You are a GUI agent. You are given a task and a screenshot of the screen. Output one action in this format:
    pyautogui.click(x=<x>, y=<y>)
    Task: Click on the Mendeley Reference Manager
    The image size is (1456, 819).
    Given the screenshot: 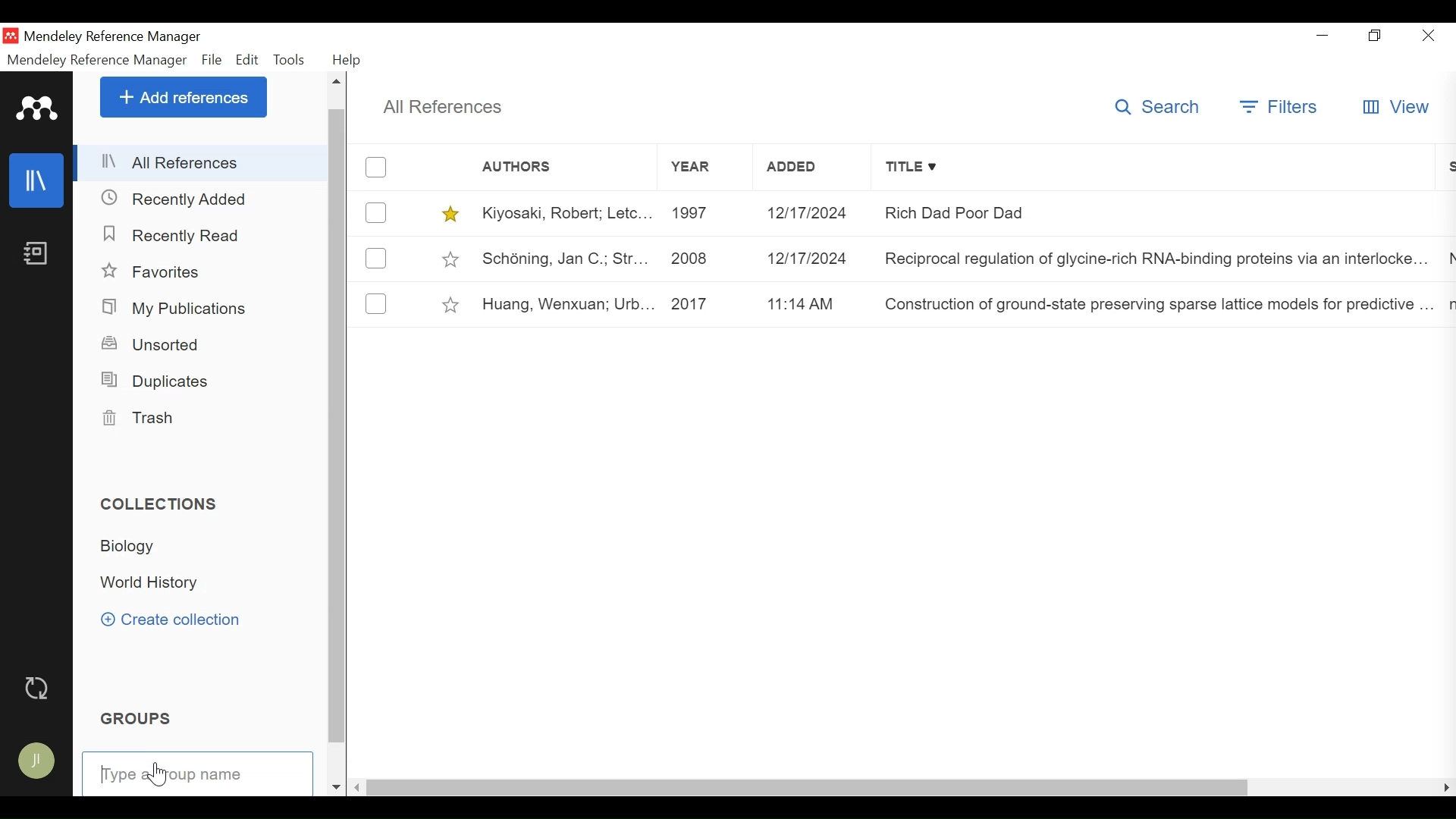 What is the action you would take?
    pyautogui.click(x=112, y=36)
    